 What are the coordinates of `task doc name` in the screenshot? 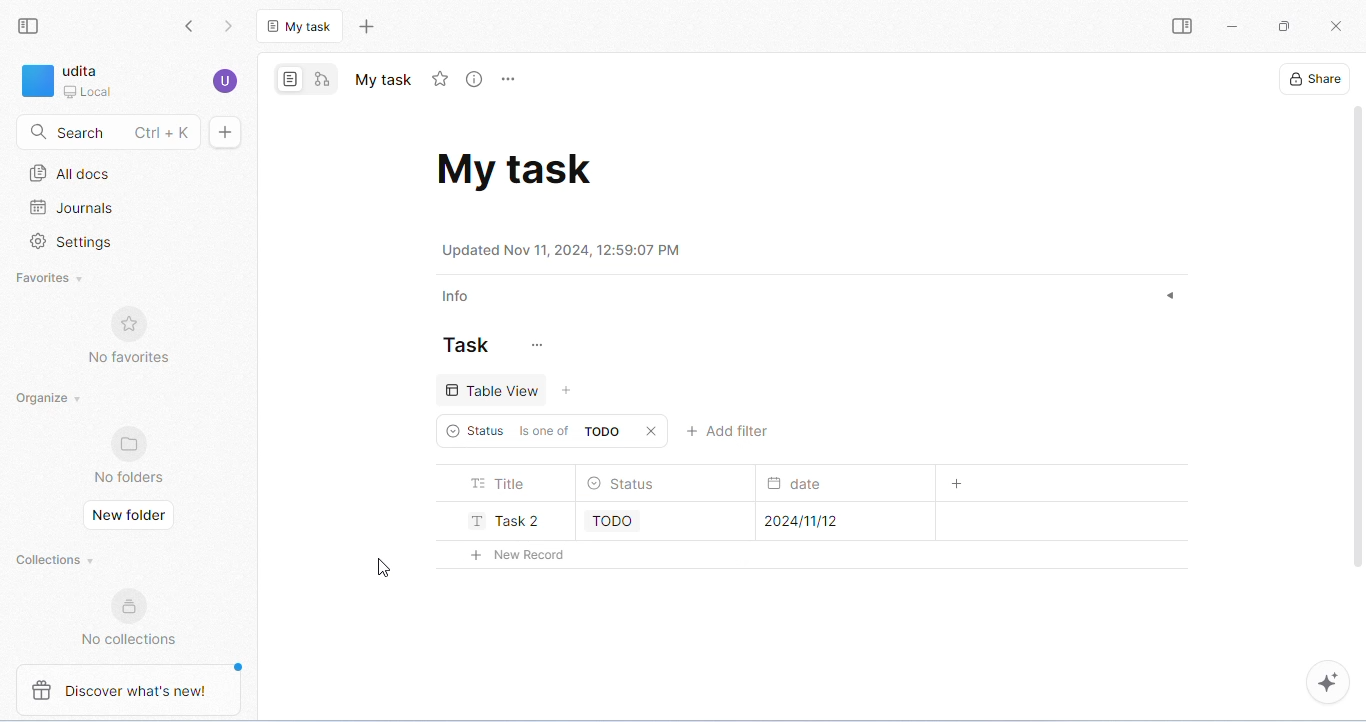 It's located at (516, 167).